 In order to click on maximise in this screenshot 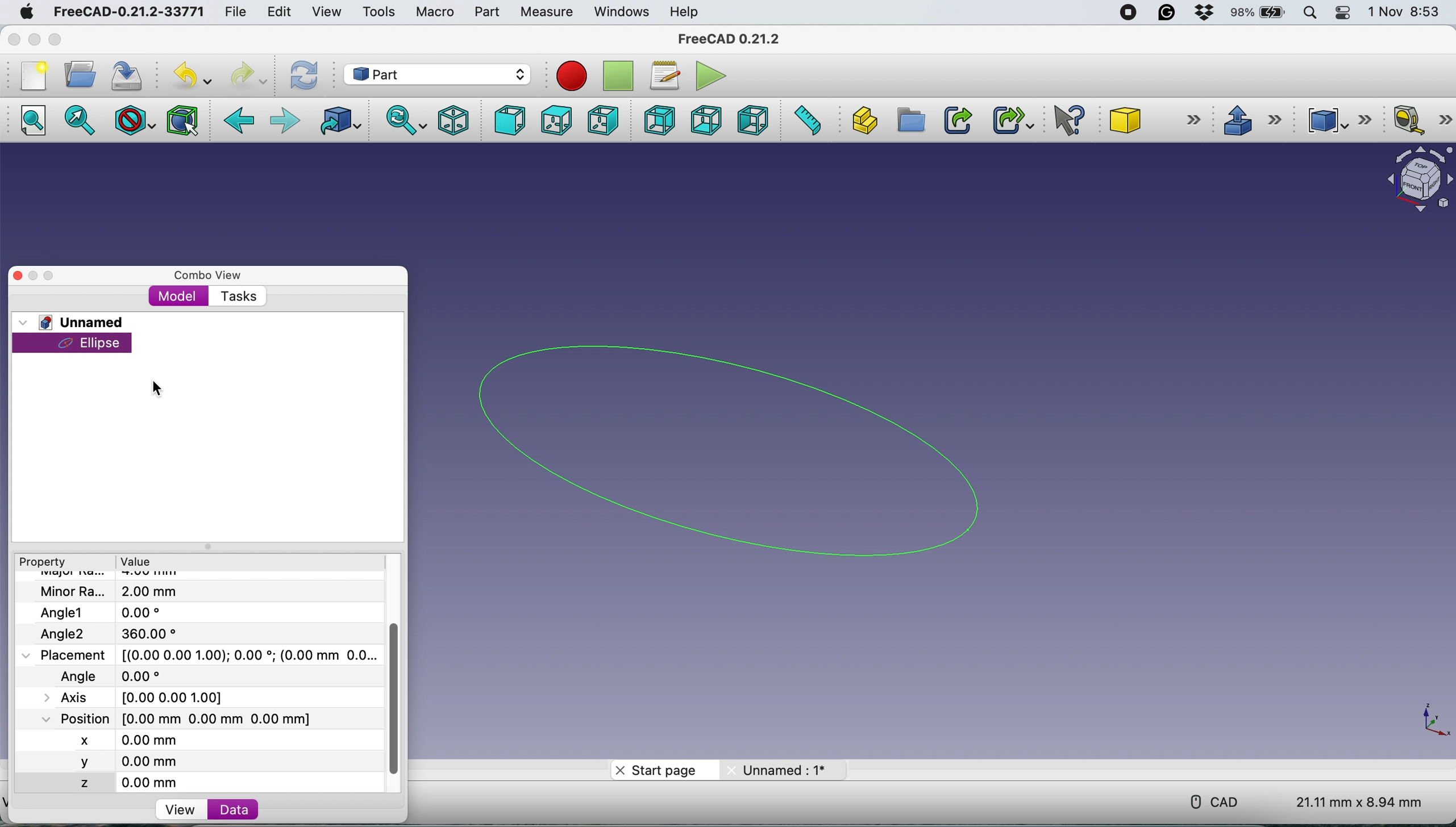, I will do `click(53, 40)`.